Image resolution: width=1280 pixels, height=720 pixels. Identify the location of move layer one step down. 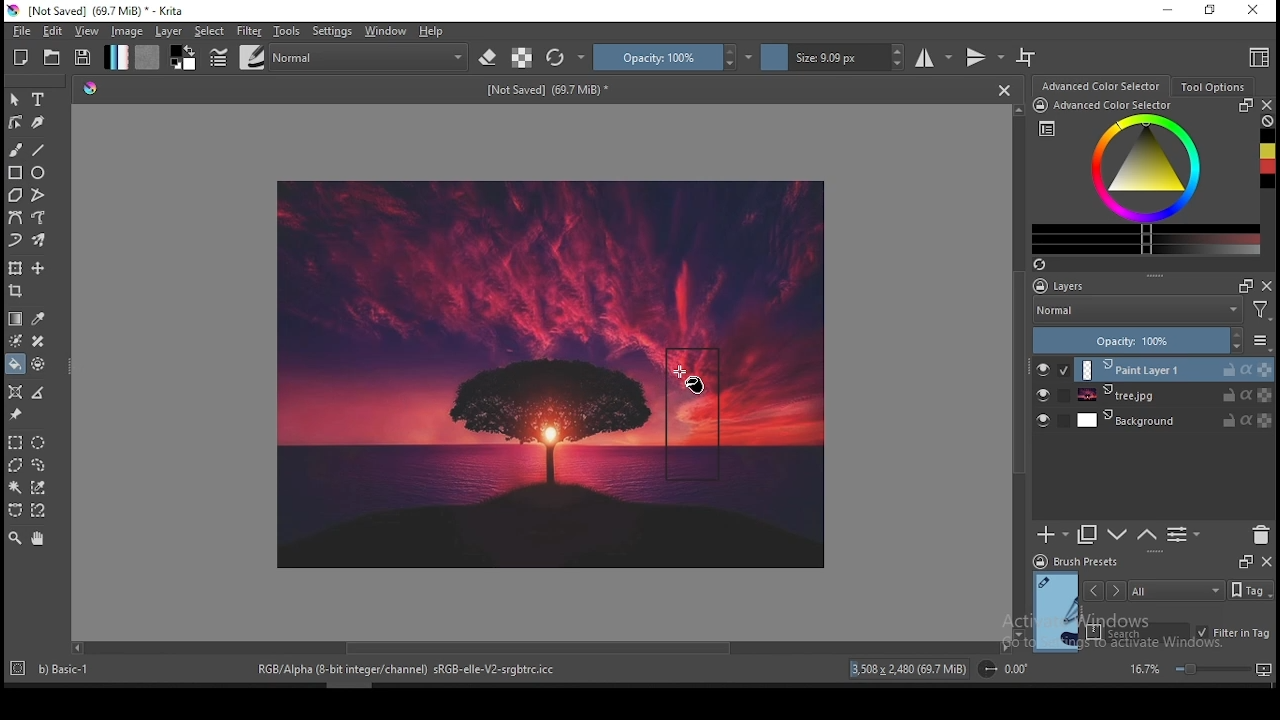
(1116, 535).